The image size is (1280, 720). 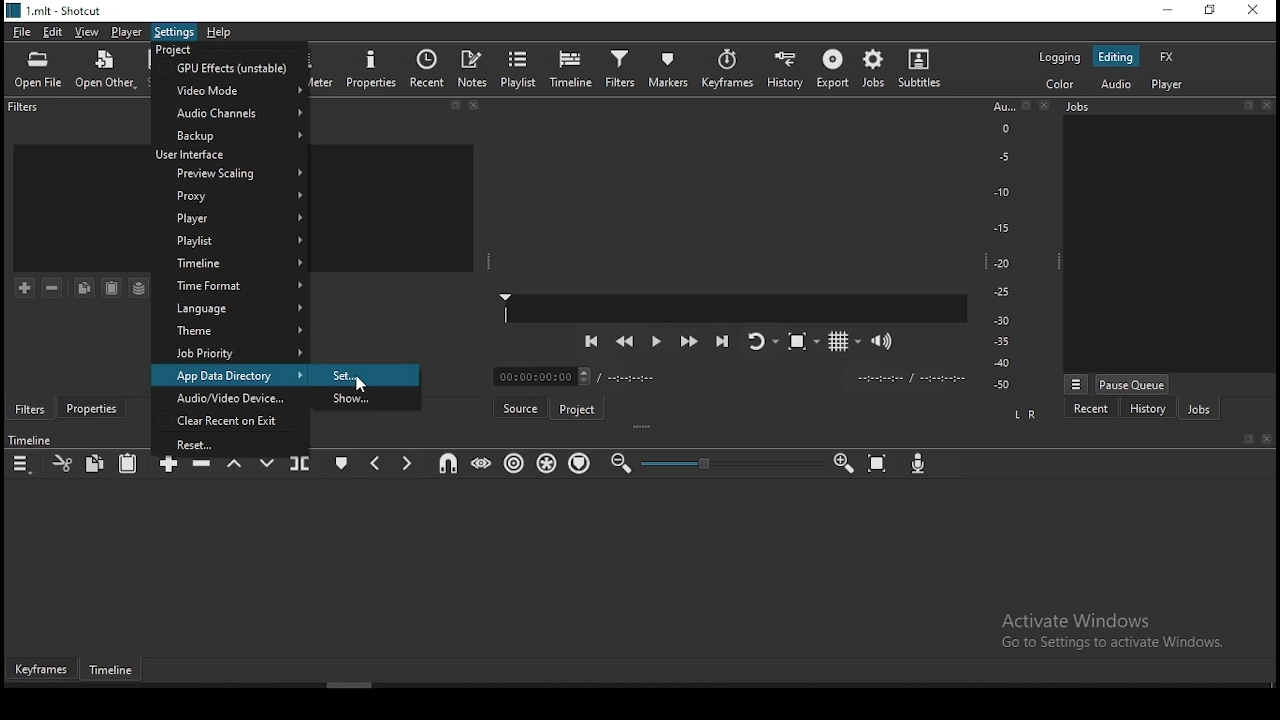 I want to click on toggle grid display on the player, so click(x=840, y=340).